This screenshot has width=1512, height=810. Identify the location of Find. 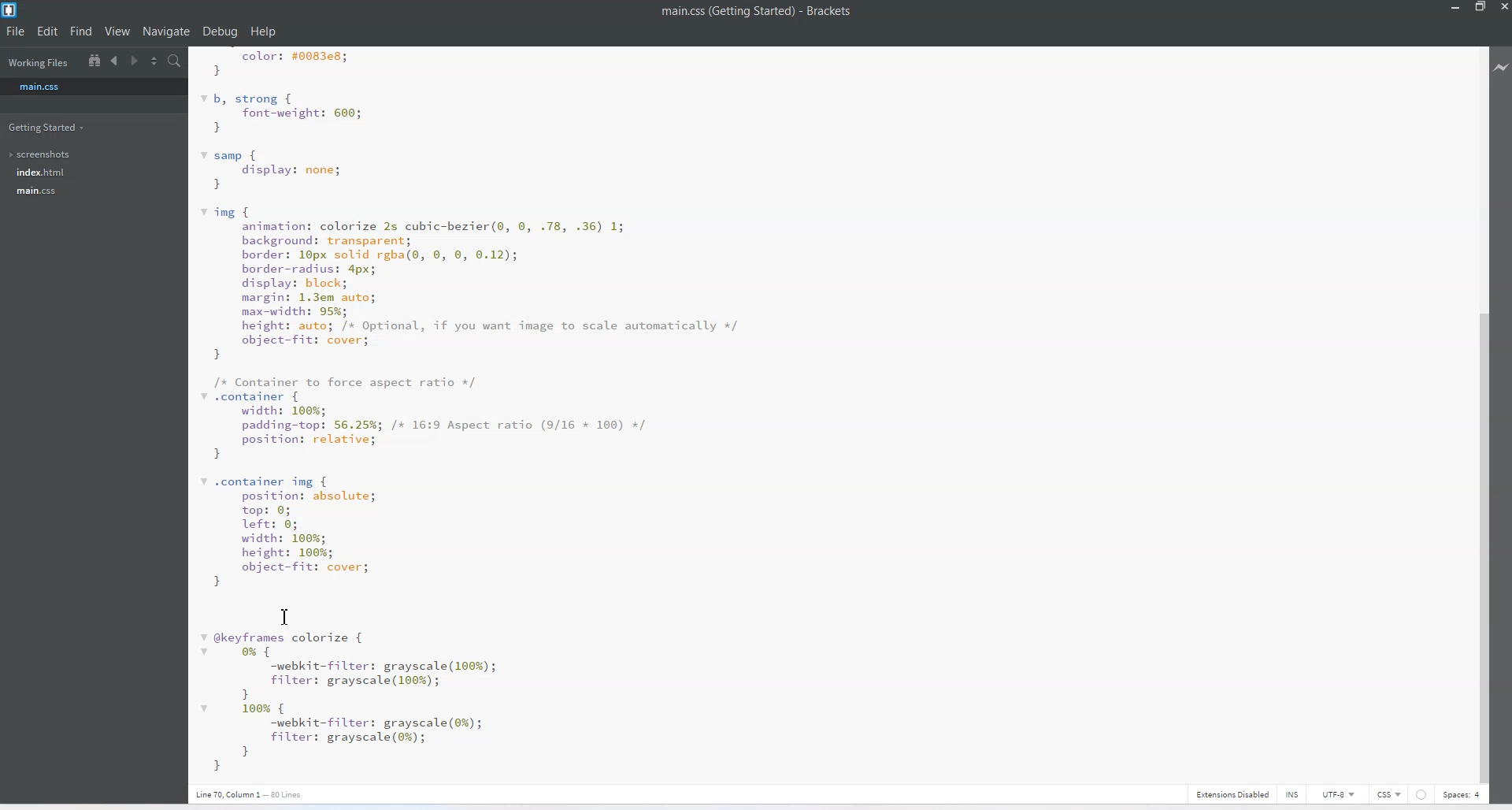
(81, 32).